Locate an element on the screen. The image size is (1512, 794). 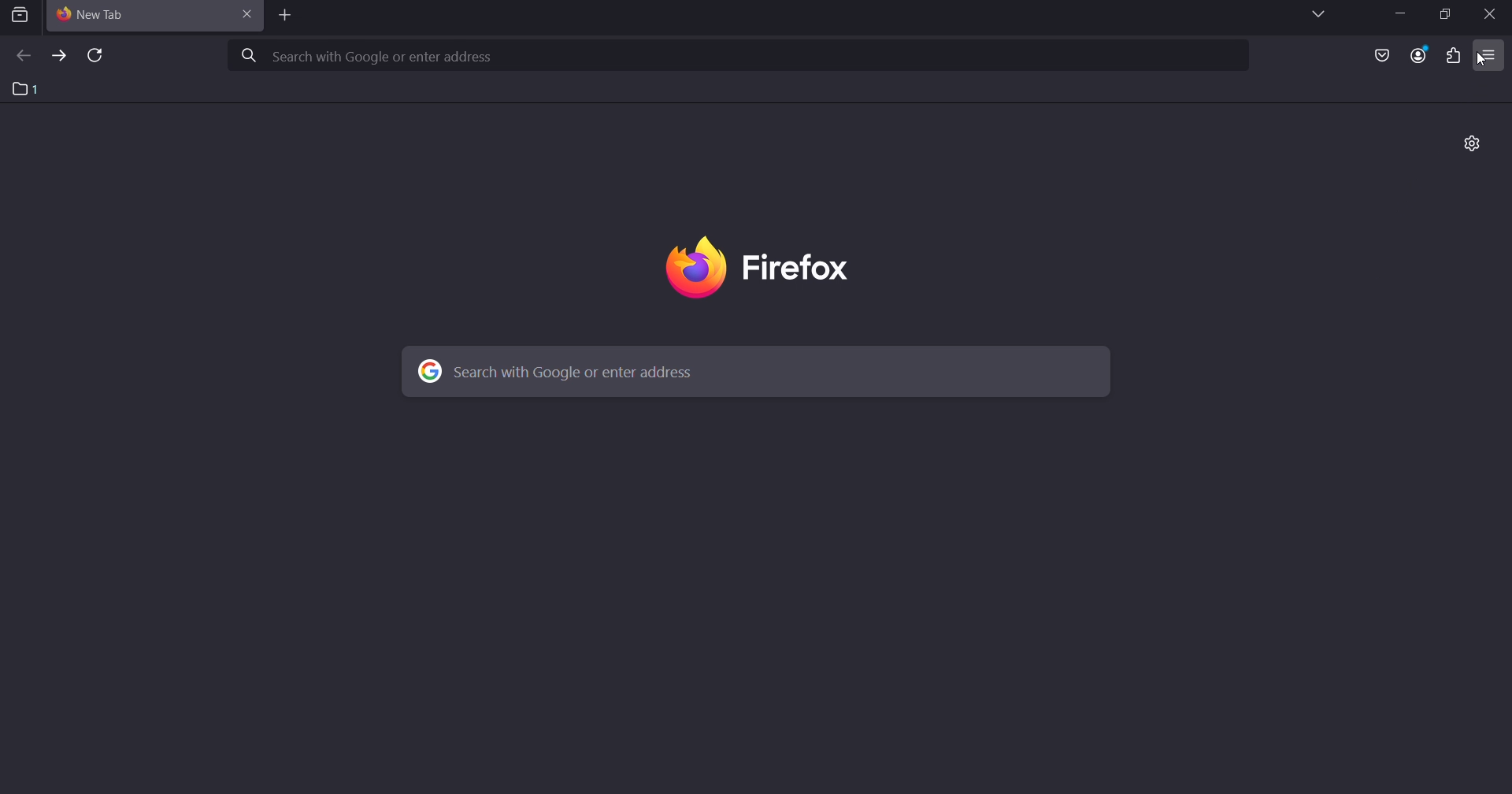
reload page is located at coordinates (94, 58).